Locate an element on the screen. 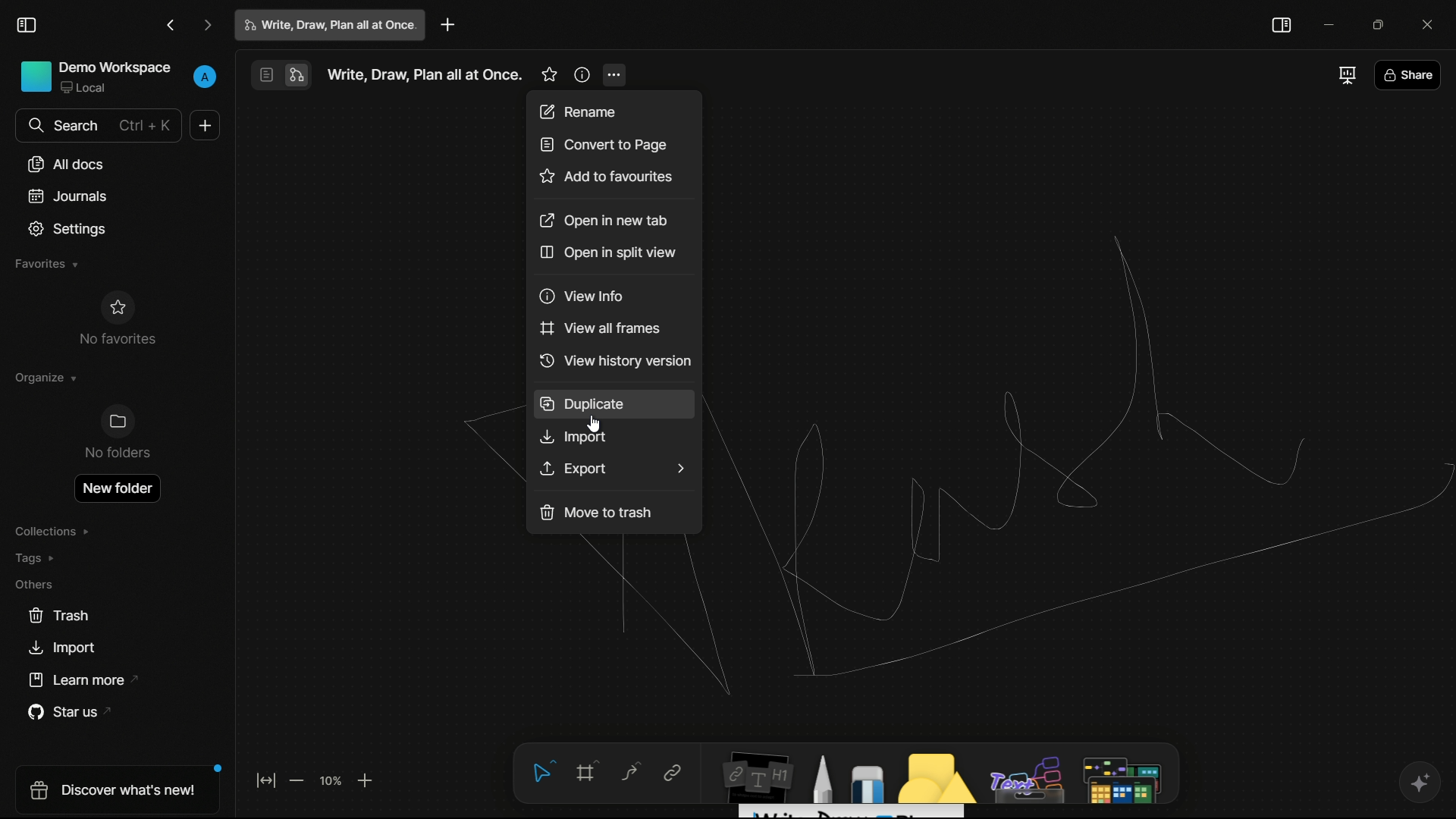 This screenshot has width=1456, height=819. cursor is located at coordinates (595, 423).